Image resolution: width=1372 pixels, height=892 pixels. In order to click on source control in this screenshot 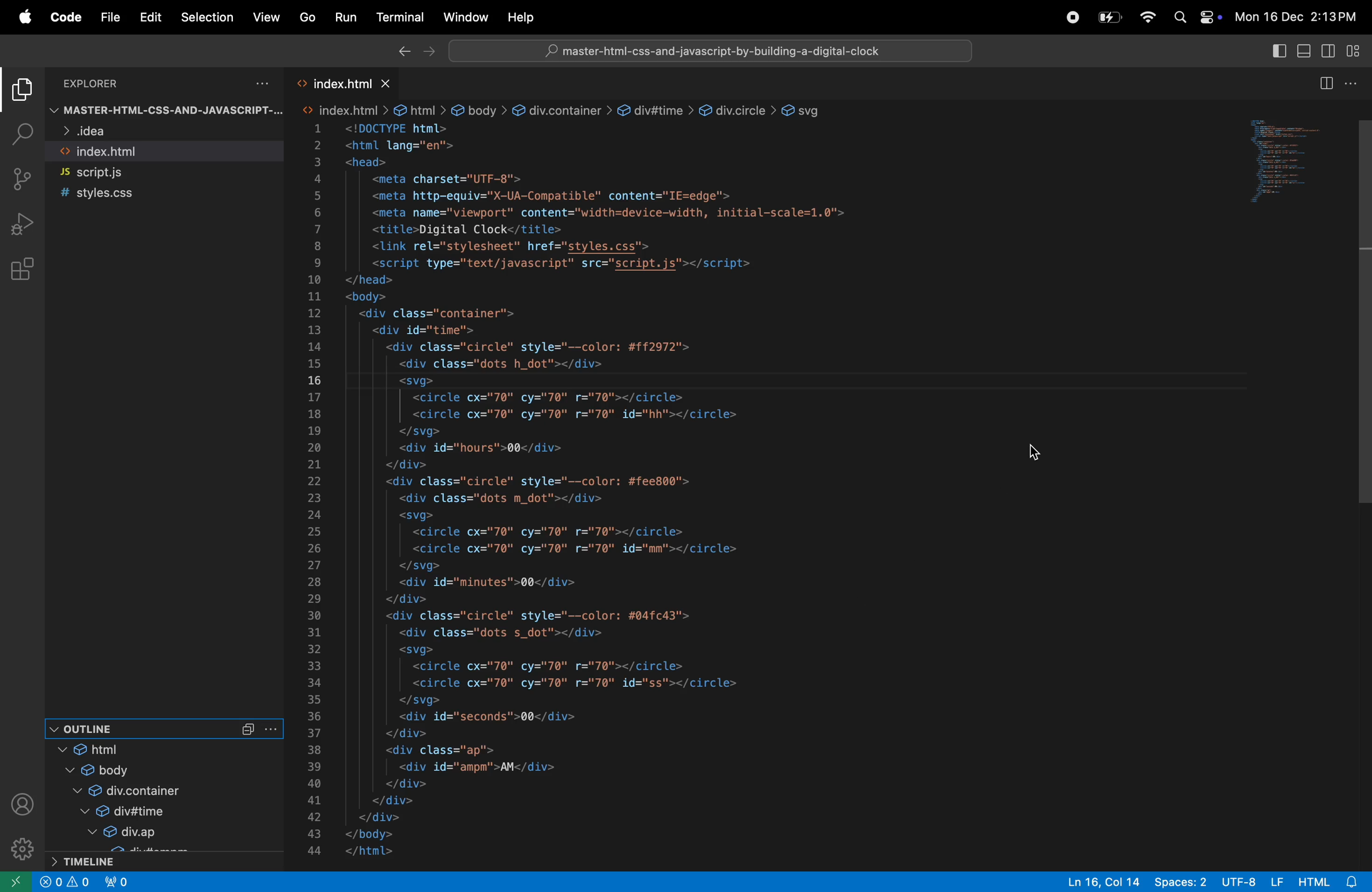, I will do `click(22, 179)`.